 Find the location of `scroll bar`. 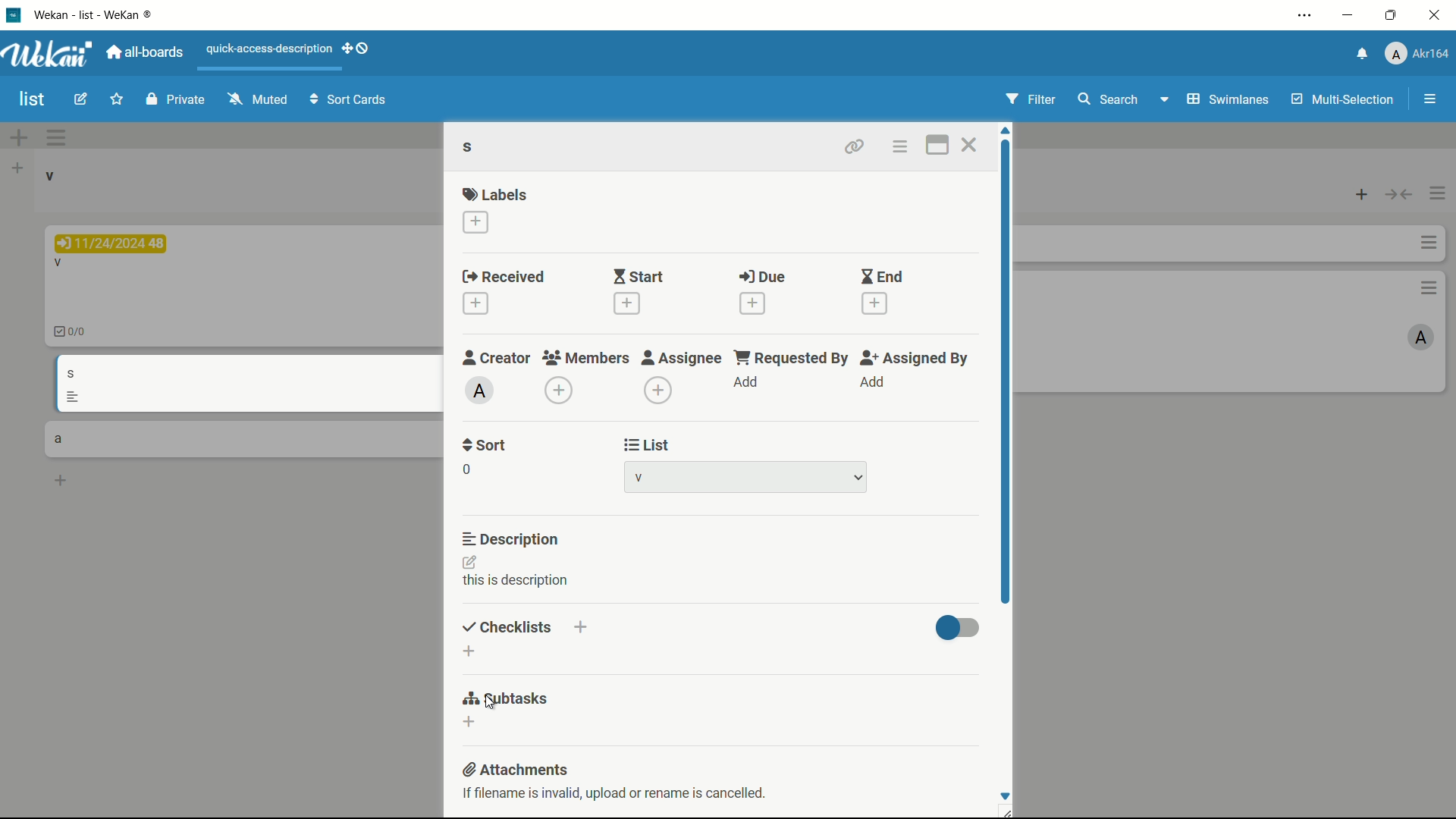

scroll bar is located at coordinates (1005, 374).